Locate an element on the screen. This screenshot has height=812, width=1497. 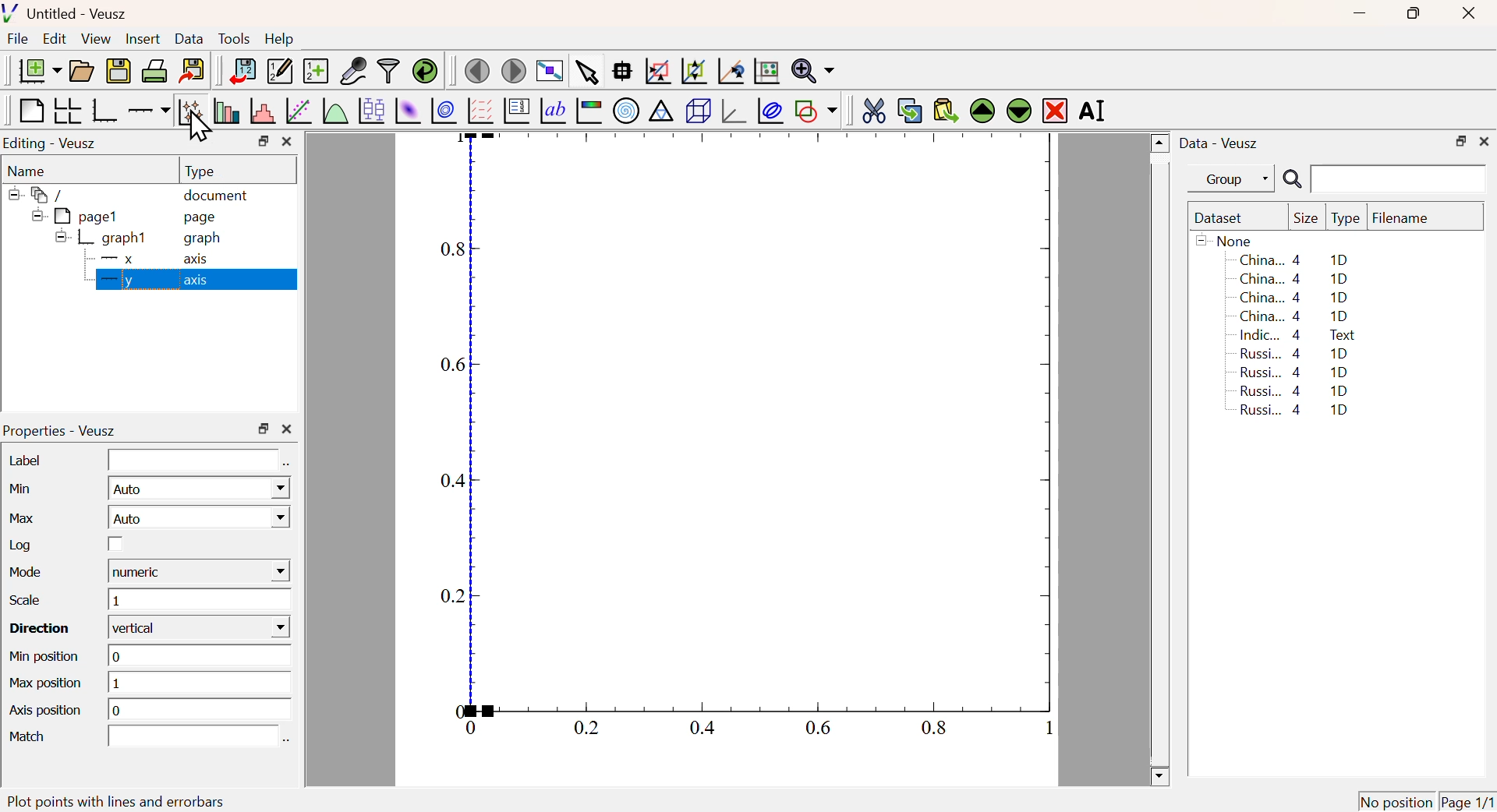
Previous Page is located at coordinates (478, 72).